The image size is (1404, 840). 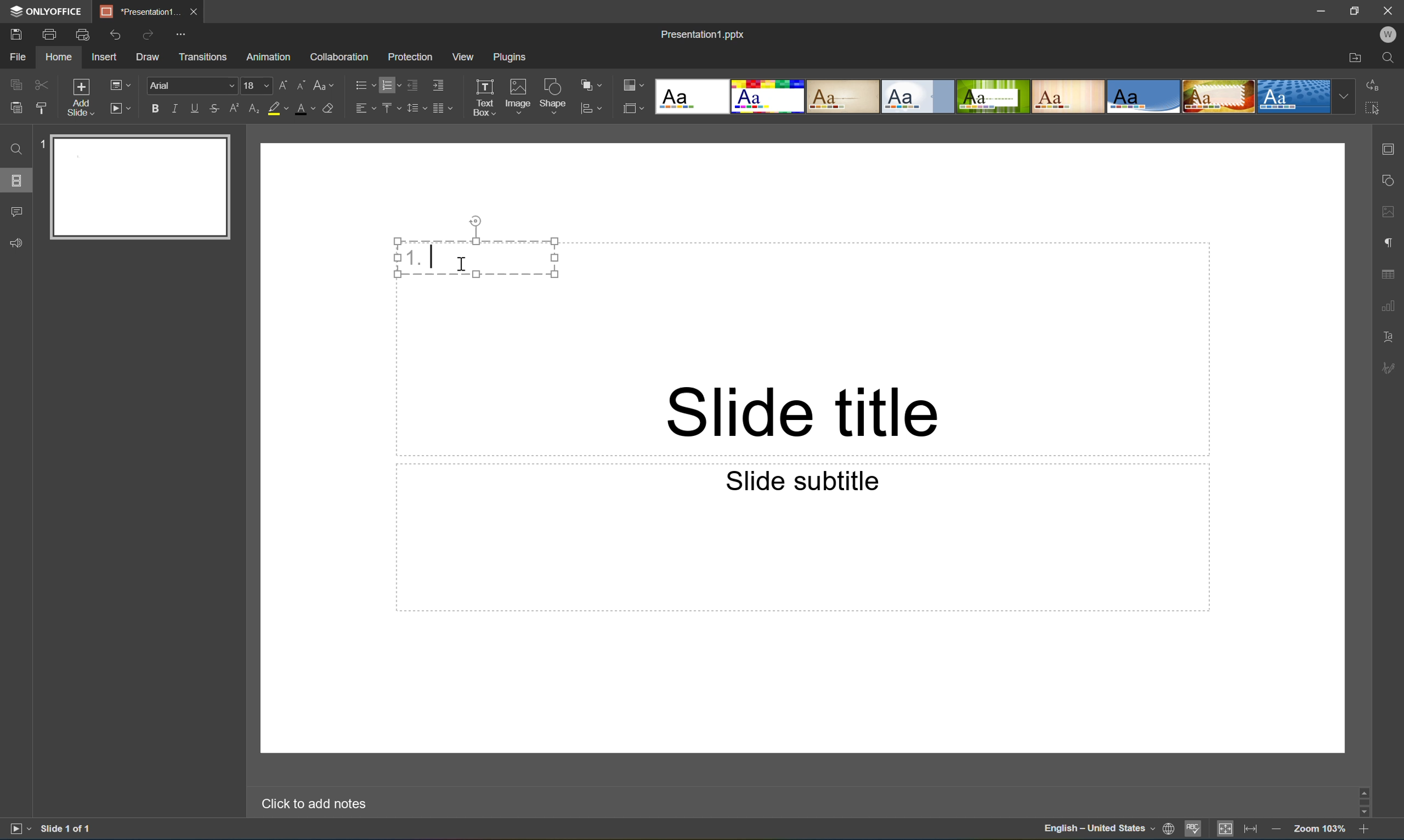 I want to click on Find, so click(x=1390, y=57).